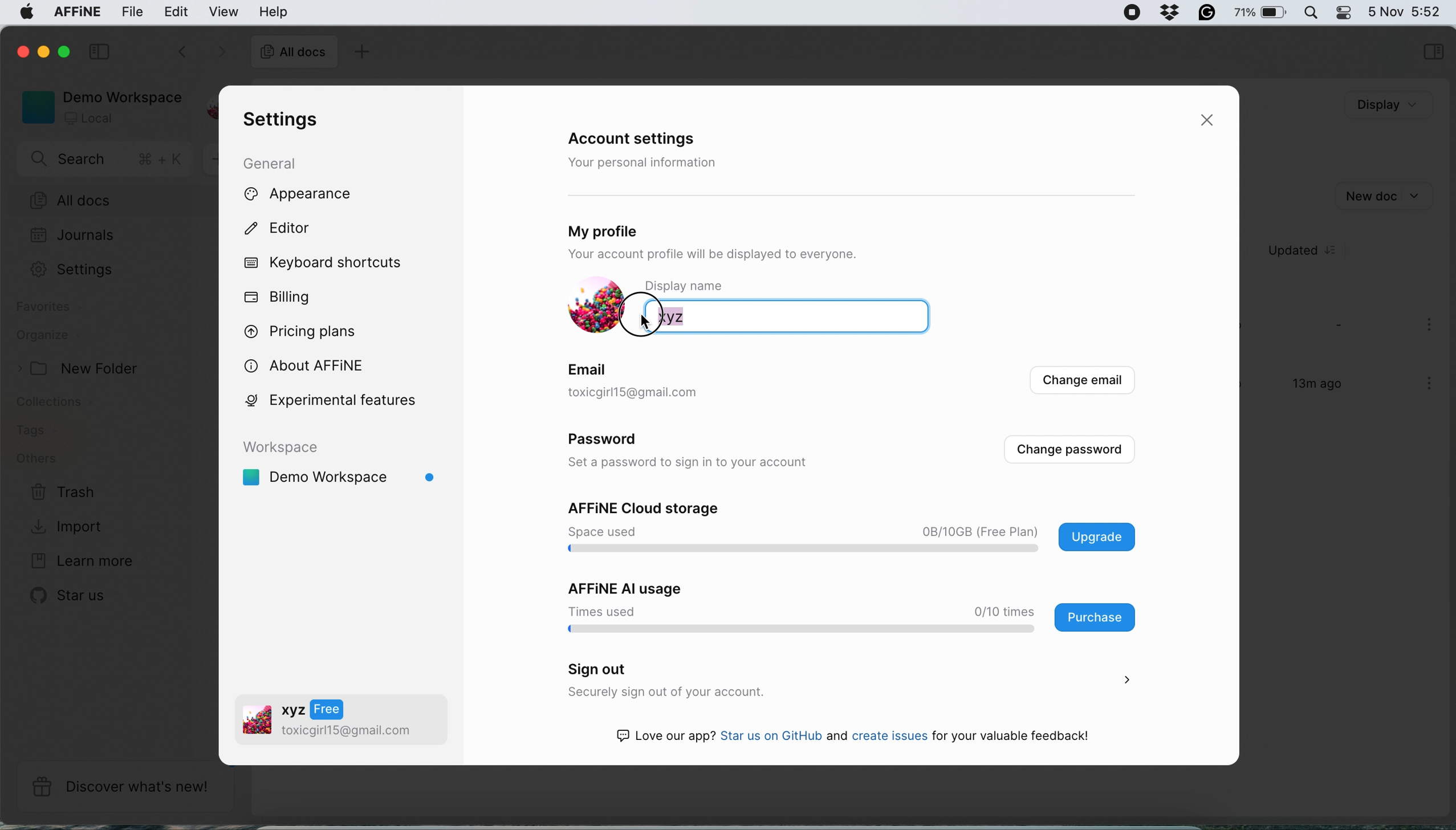 The image size is (1456, 830). I want to click on Love our app? Star us on GitHub and create issues for your valuable feedback!, so click(864, 738).